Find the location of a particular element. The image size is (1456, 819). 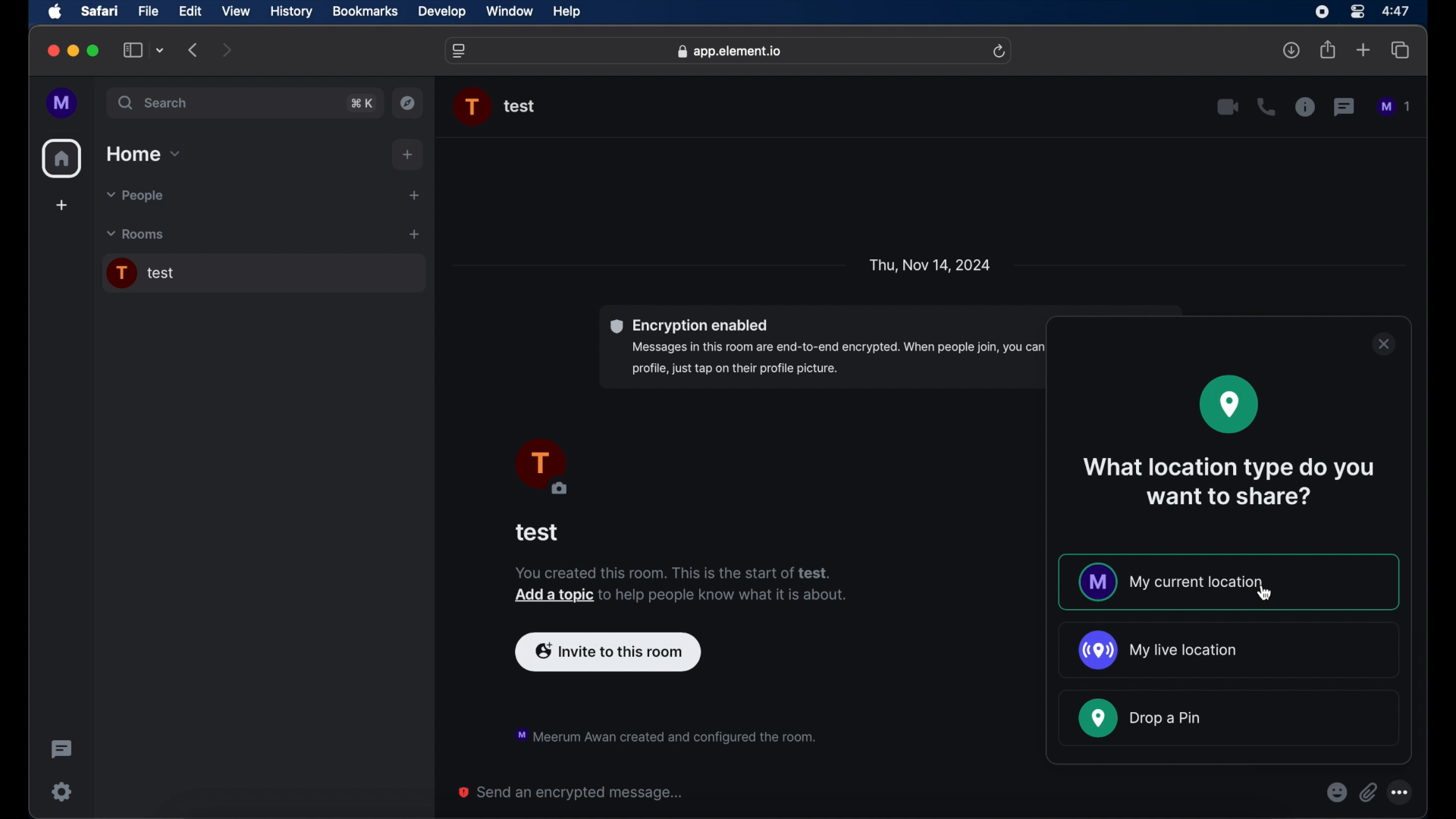

encryption enable is located at coordinates (891, 347).